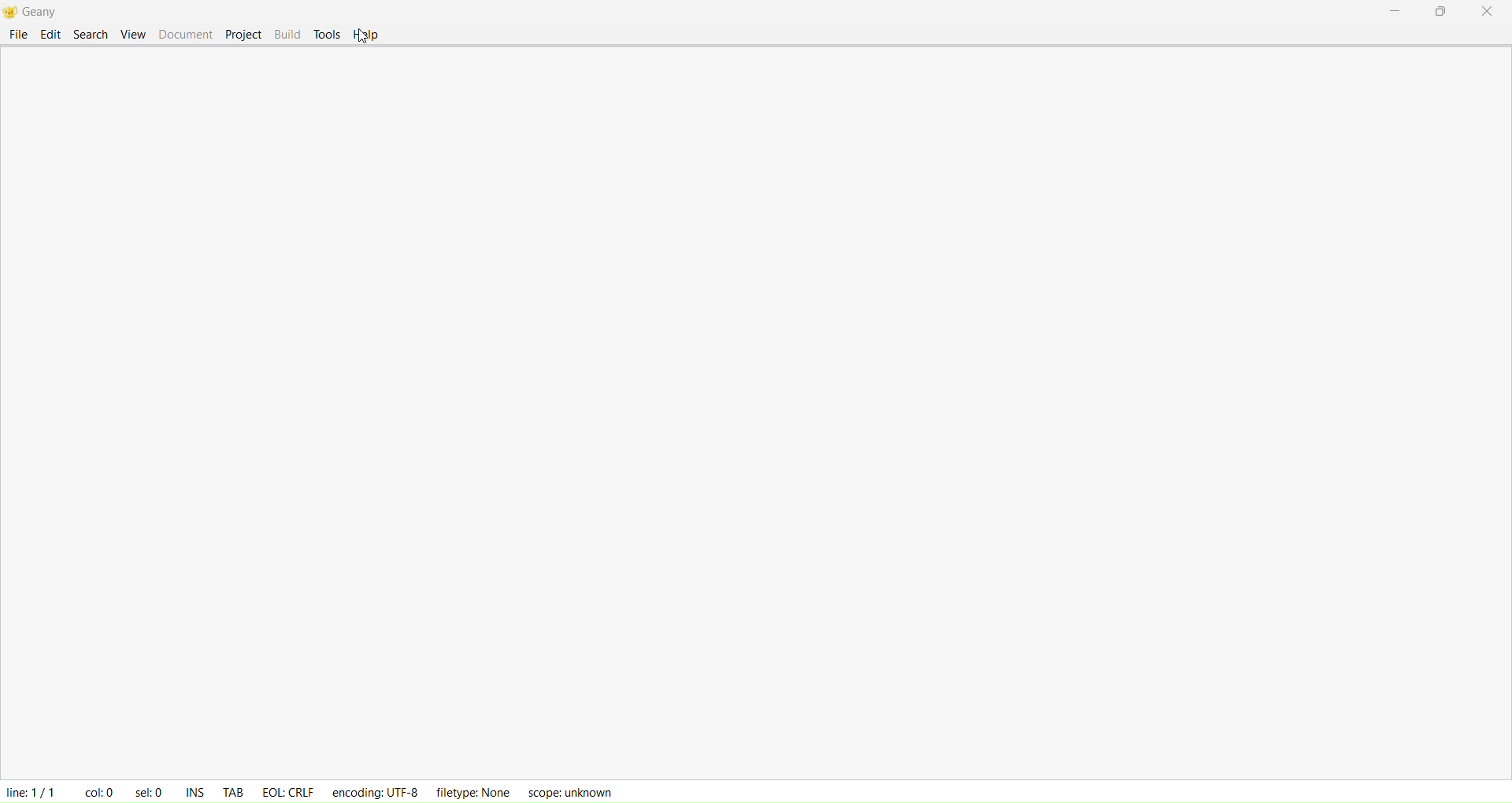  What do you see at coordinates (232, 786) in the screenshot?
I see `tab` at bounding box center [232, 786].